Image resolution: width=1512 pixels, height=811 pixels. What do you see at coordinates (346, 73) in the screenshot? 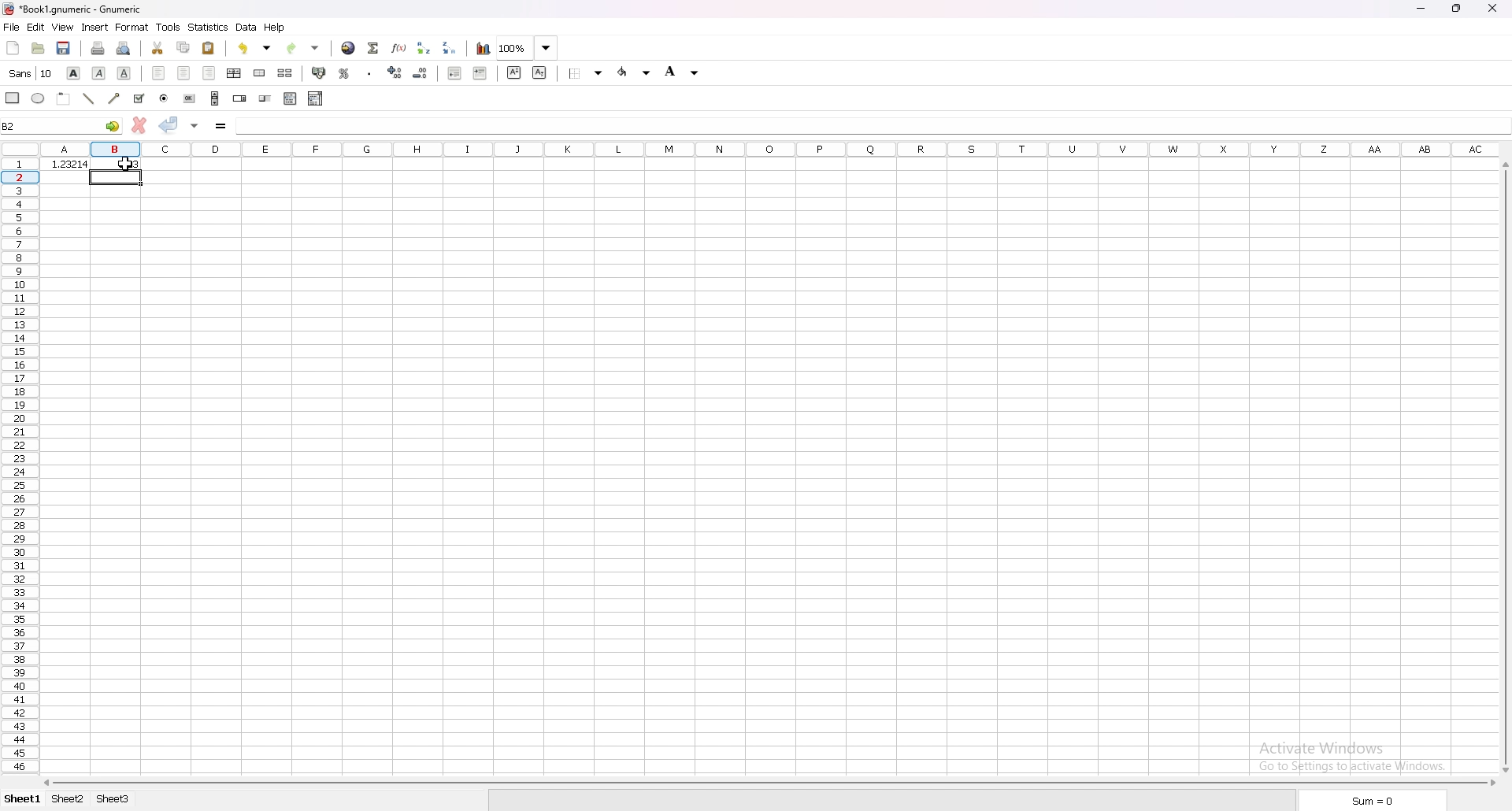
I see `percentage` at bounding box center [346, 73].